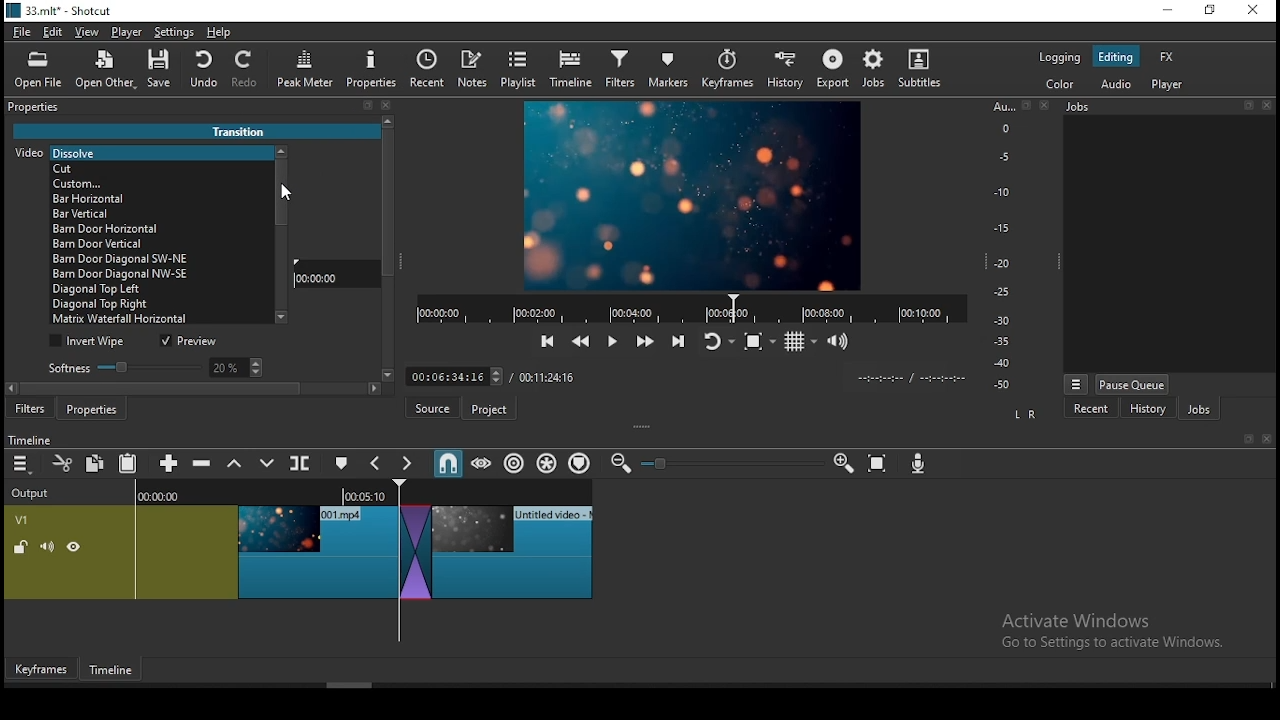 This screenshot has width=1280, height=720. What do you see at coordinates (430, 408) in the screenshot?
I see `Source` at bounding box center [430, 408].